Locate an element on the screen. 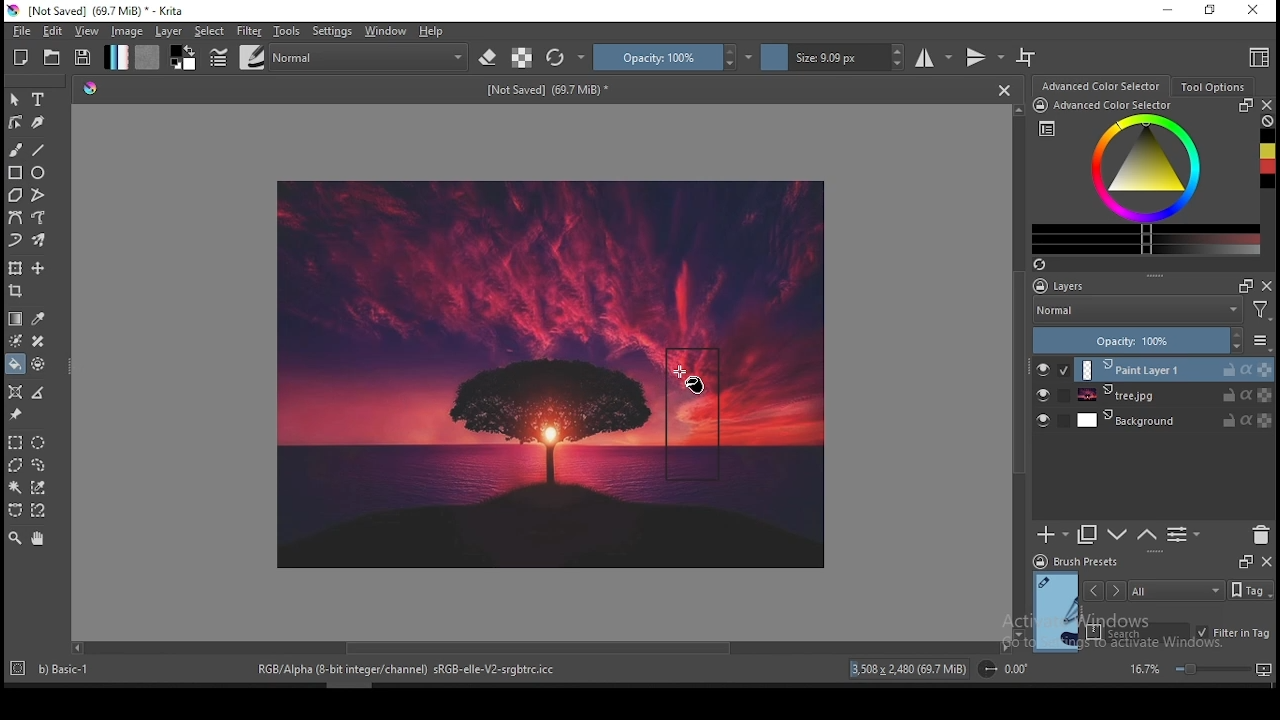 The image size is (1280, 720). tags is located at coordinates (1177, 590).